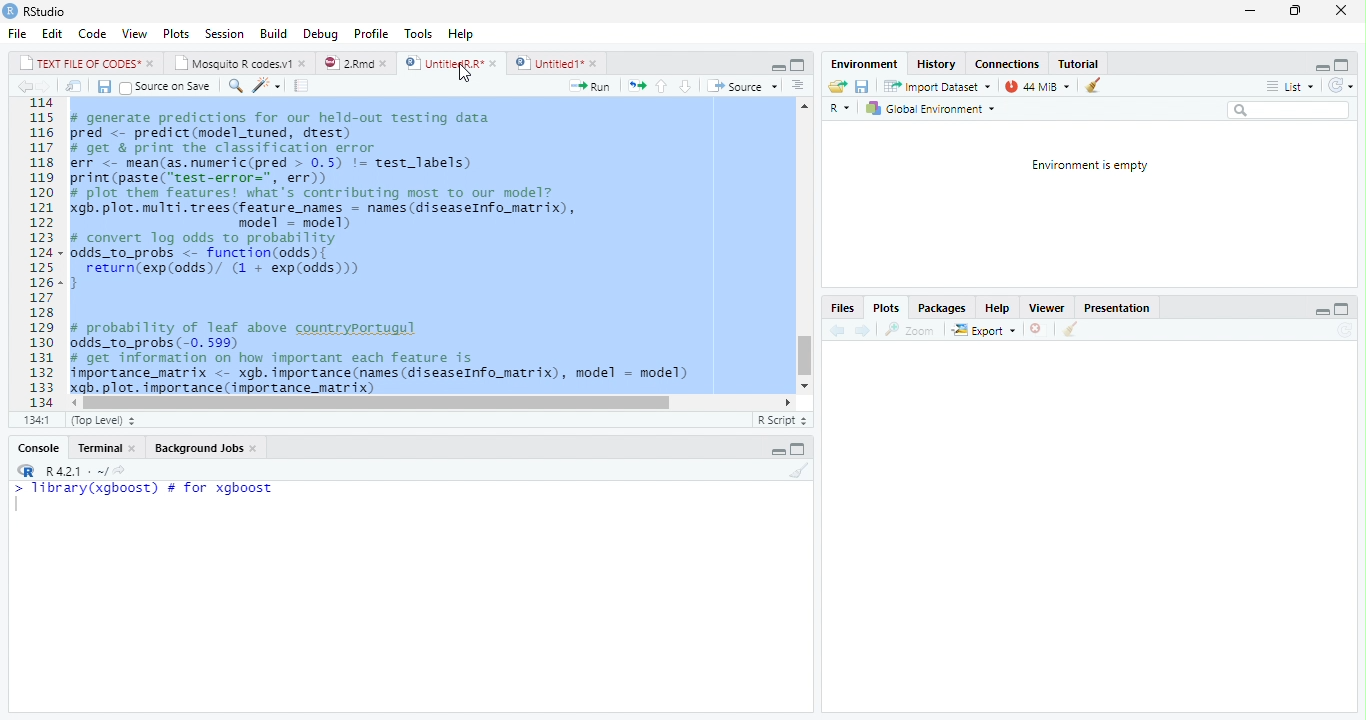  Describe the element at coordinates (225, 33) in the screenshot. I see `Session` at that location.